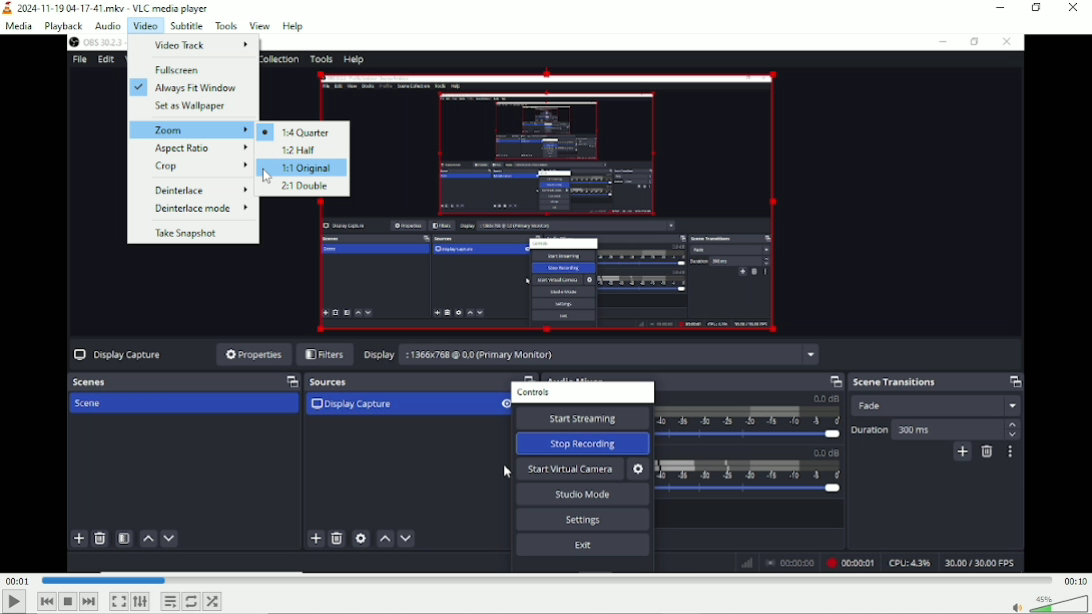 Image resolution: width=1092 pixels, height=614 pixels. I want to click on Deinterlace, so click(200, 191).